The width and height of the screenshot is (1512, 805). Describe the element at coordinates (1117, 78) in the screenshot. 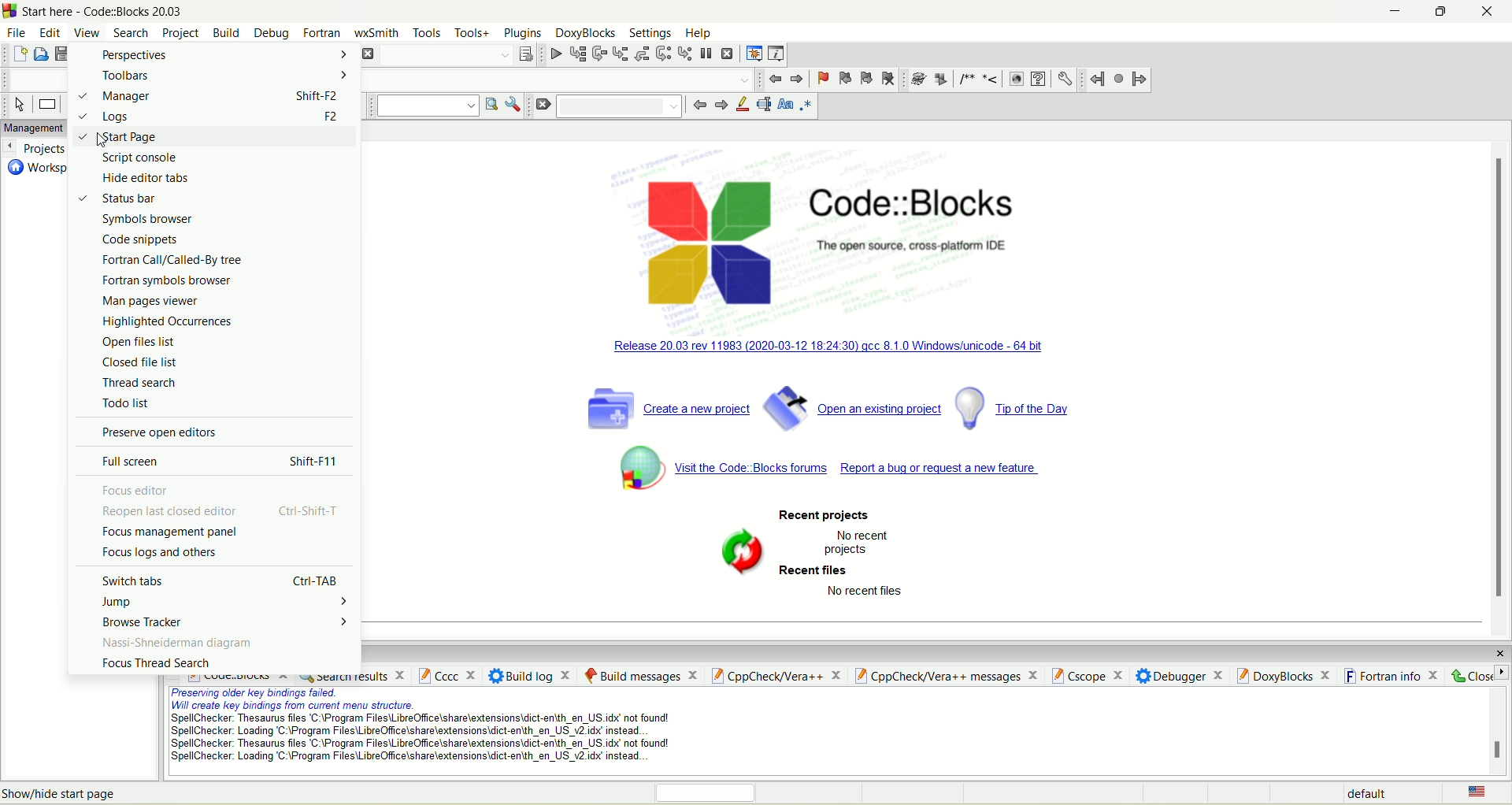

I see `last jump` at that location.